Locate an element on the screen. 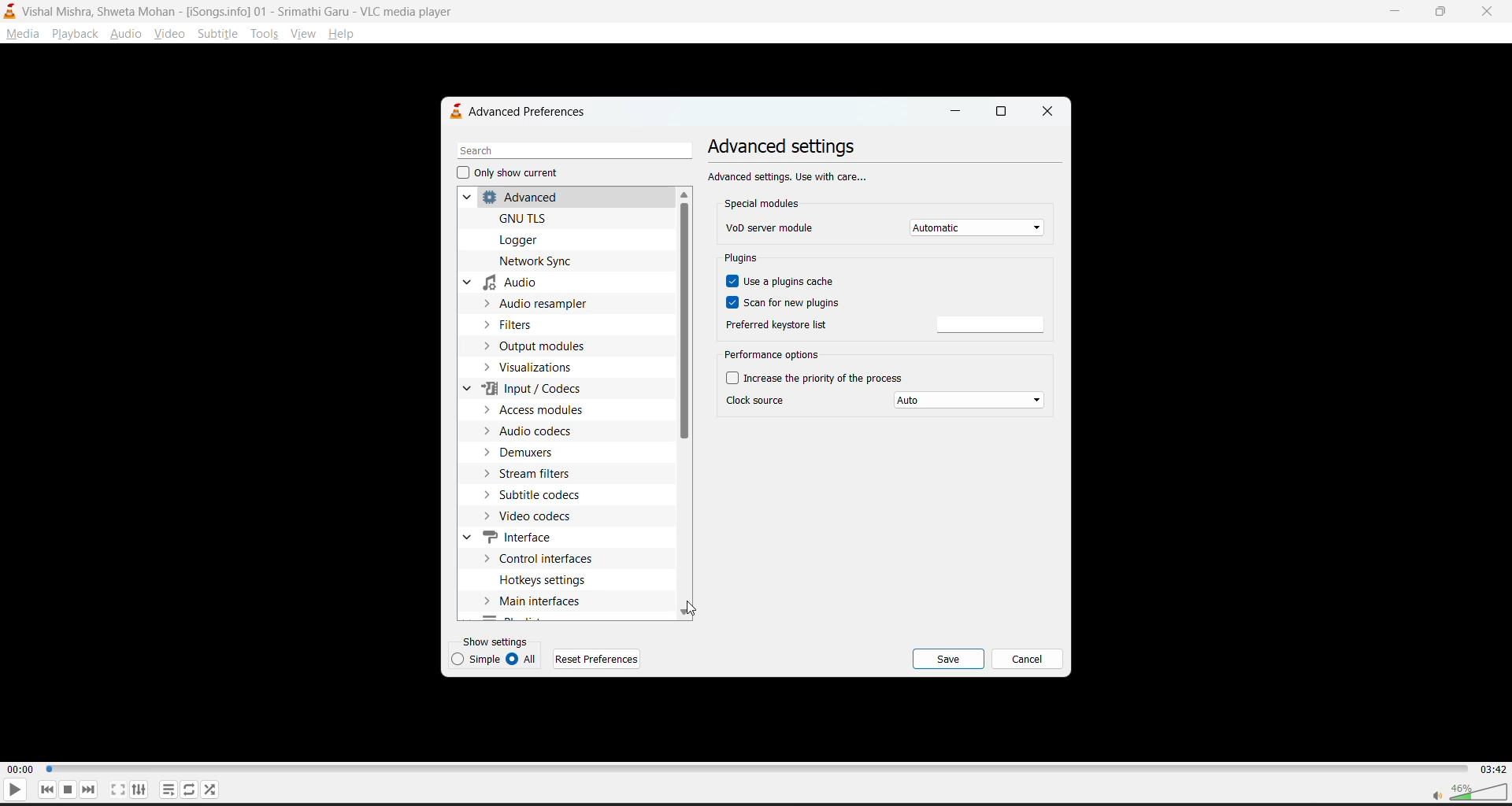  fullscreen is located at coordinates (116, 789).